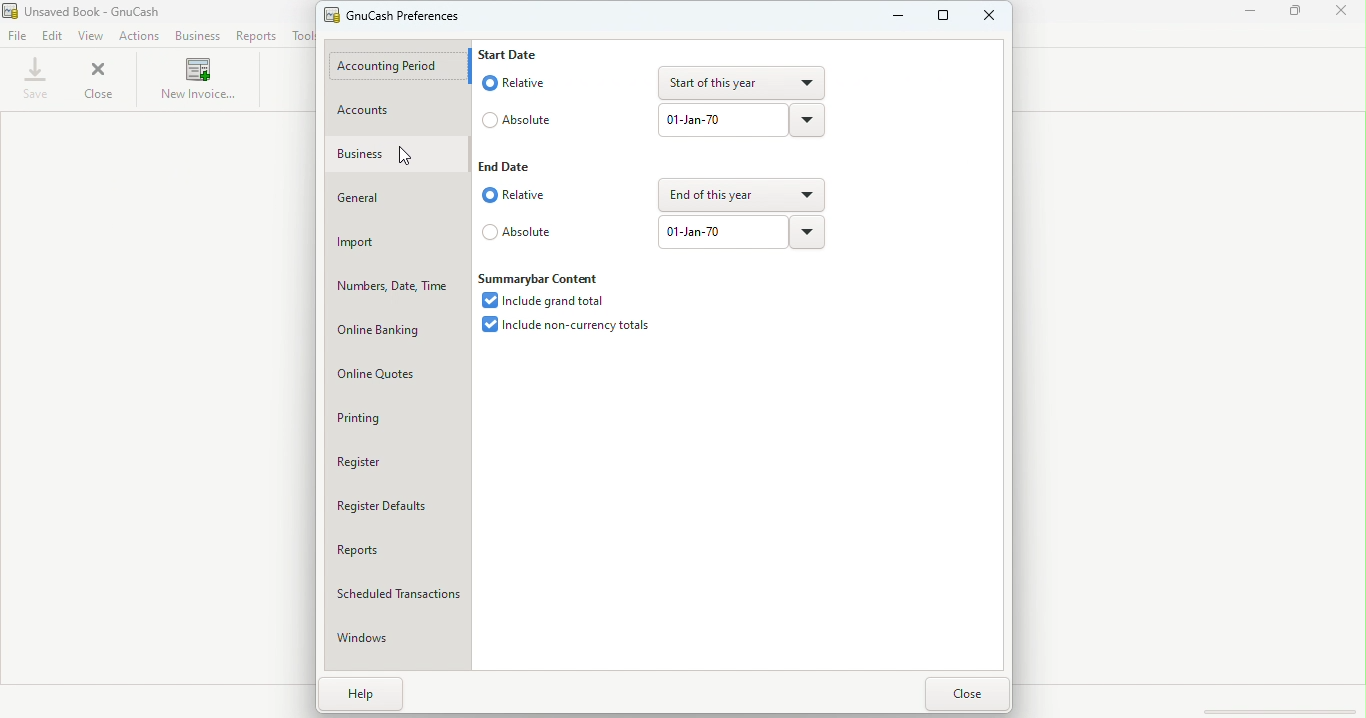  Describe the element at coordinates (402, 157) in the screenshot. I see `cursor` at that location.